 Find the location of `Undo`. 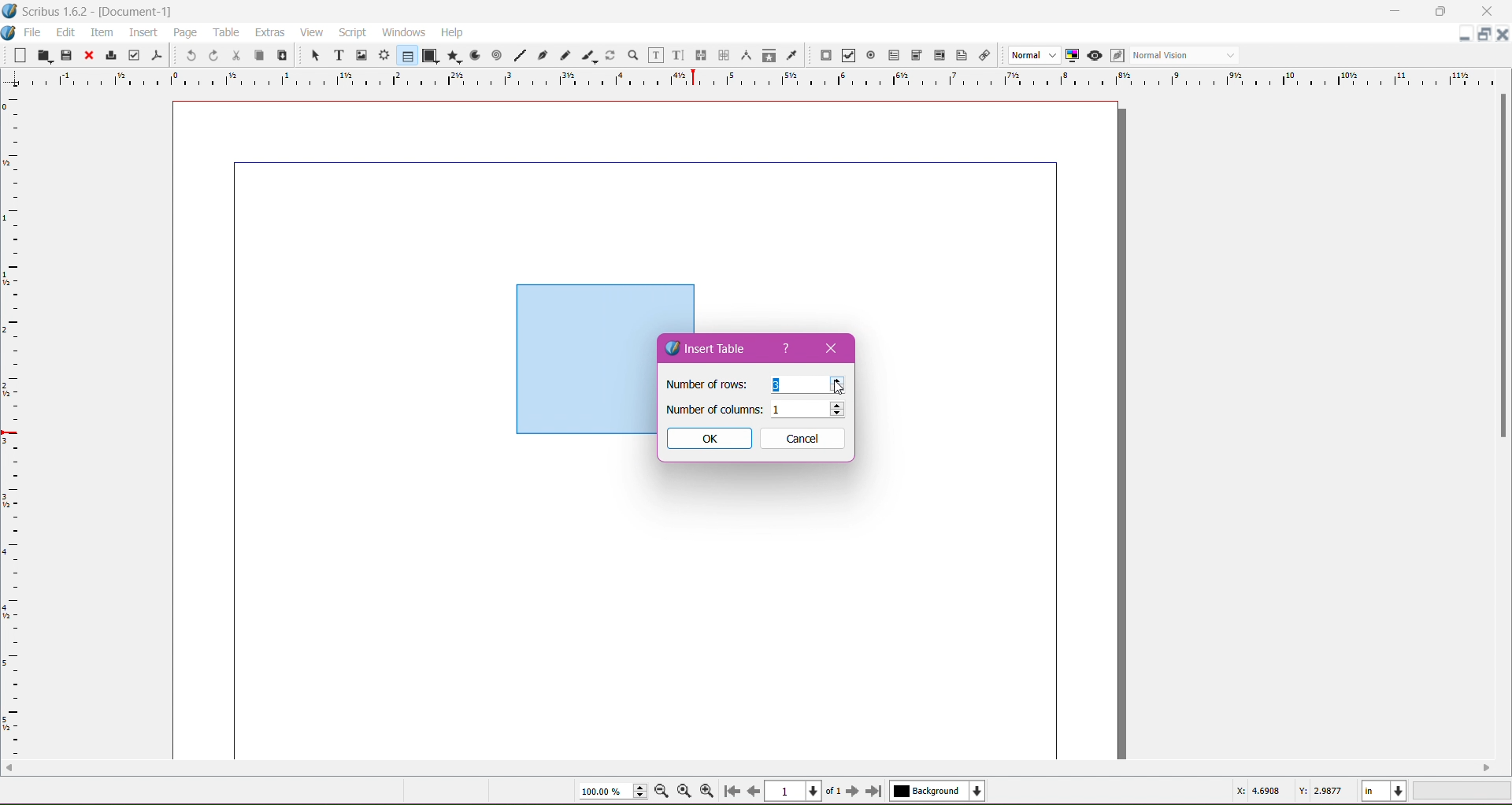

Undo is located at coordinates (189, 54).